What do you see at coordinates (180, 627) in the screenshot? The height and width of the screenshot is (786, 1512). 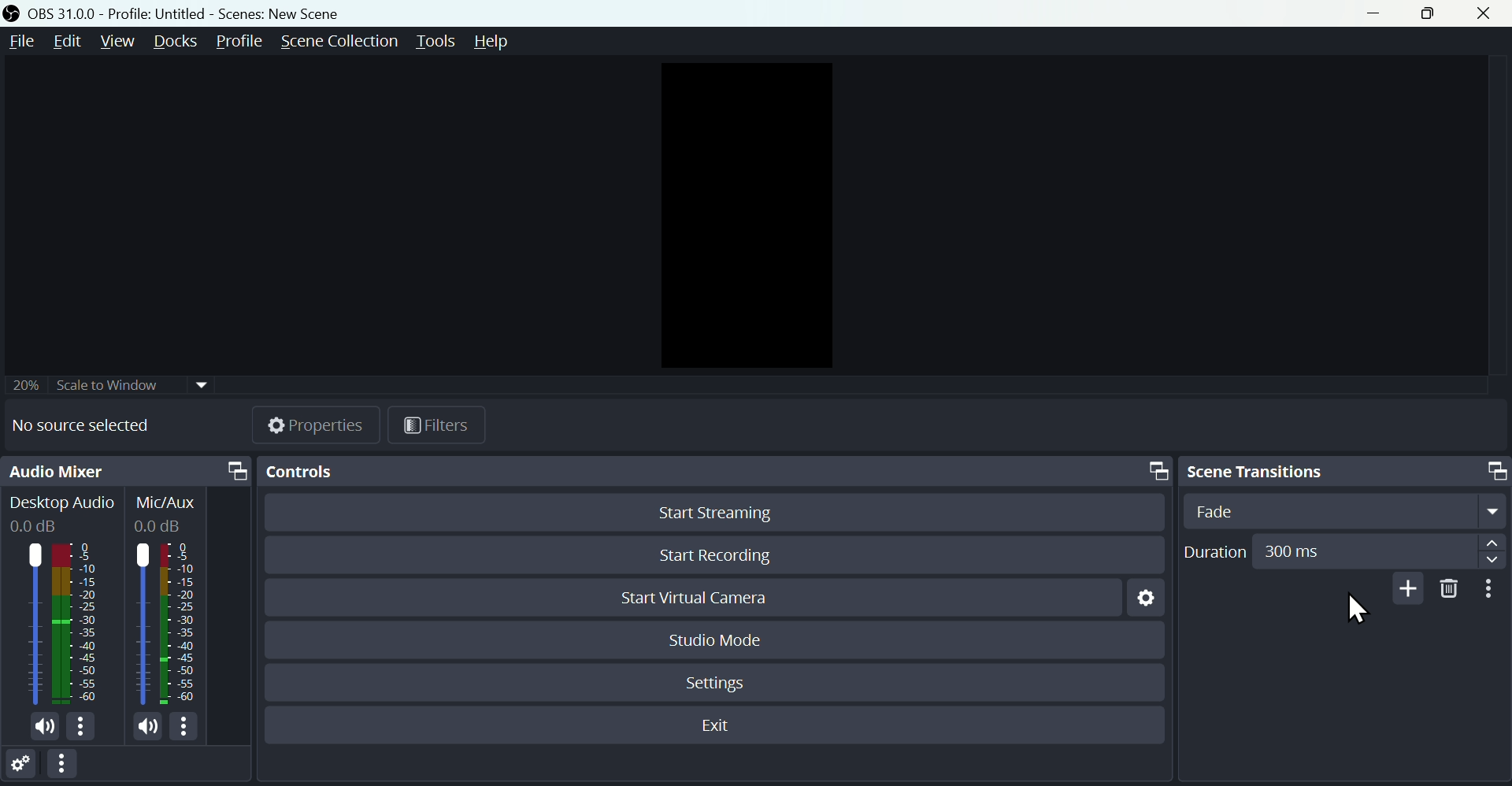 I see `Mic/Aux` at bounding box center [180, 627].